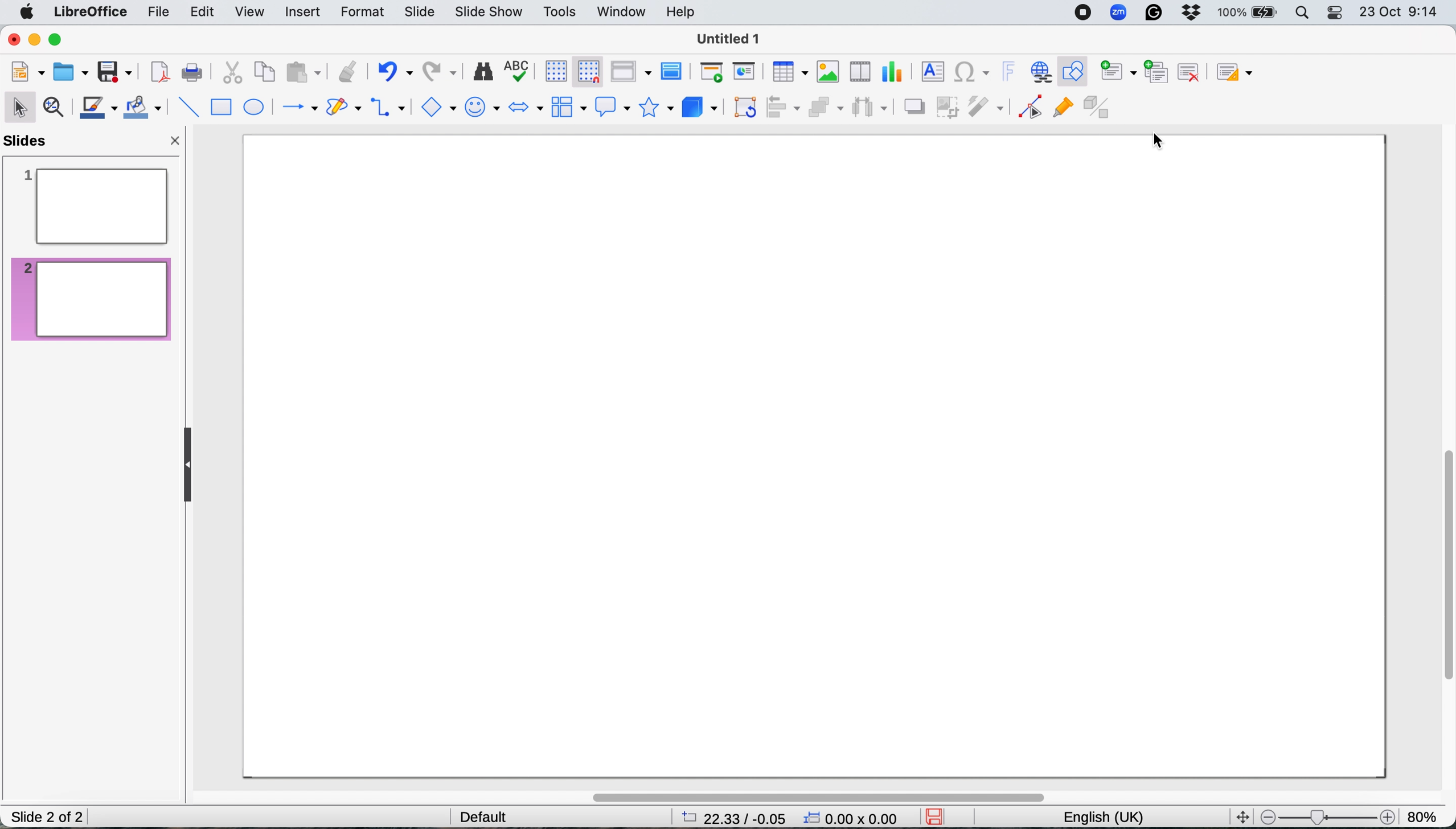 The width and height of the screenshot is (1456, 829). What do you see at coordinates (1305, 13) in the screenshot?
I see `spotlight search` at bounding box center [1305, 13].